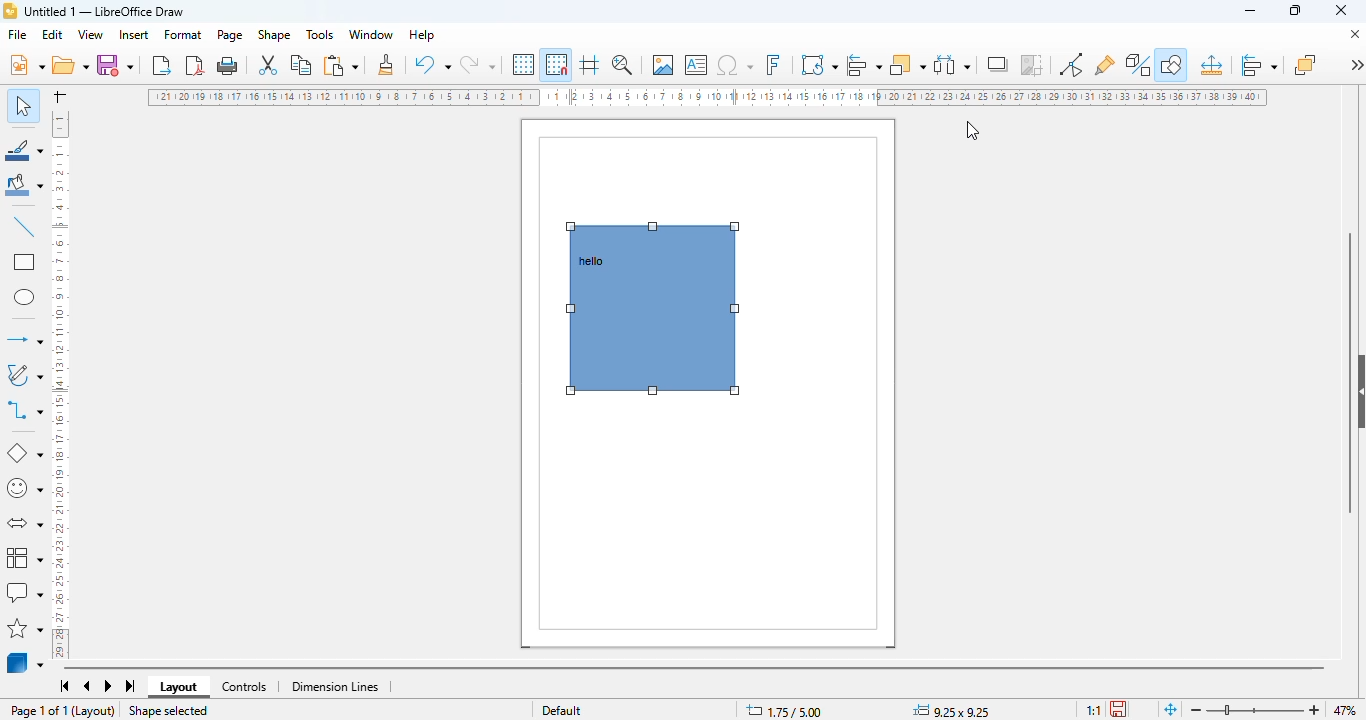  I want to click on crop image, so click(1033, 65).